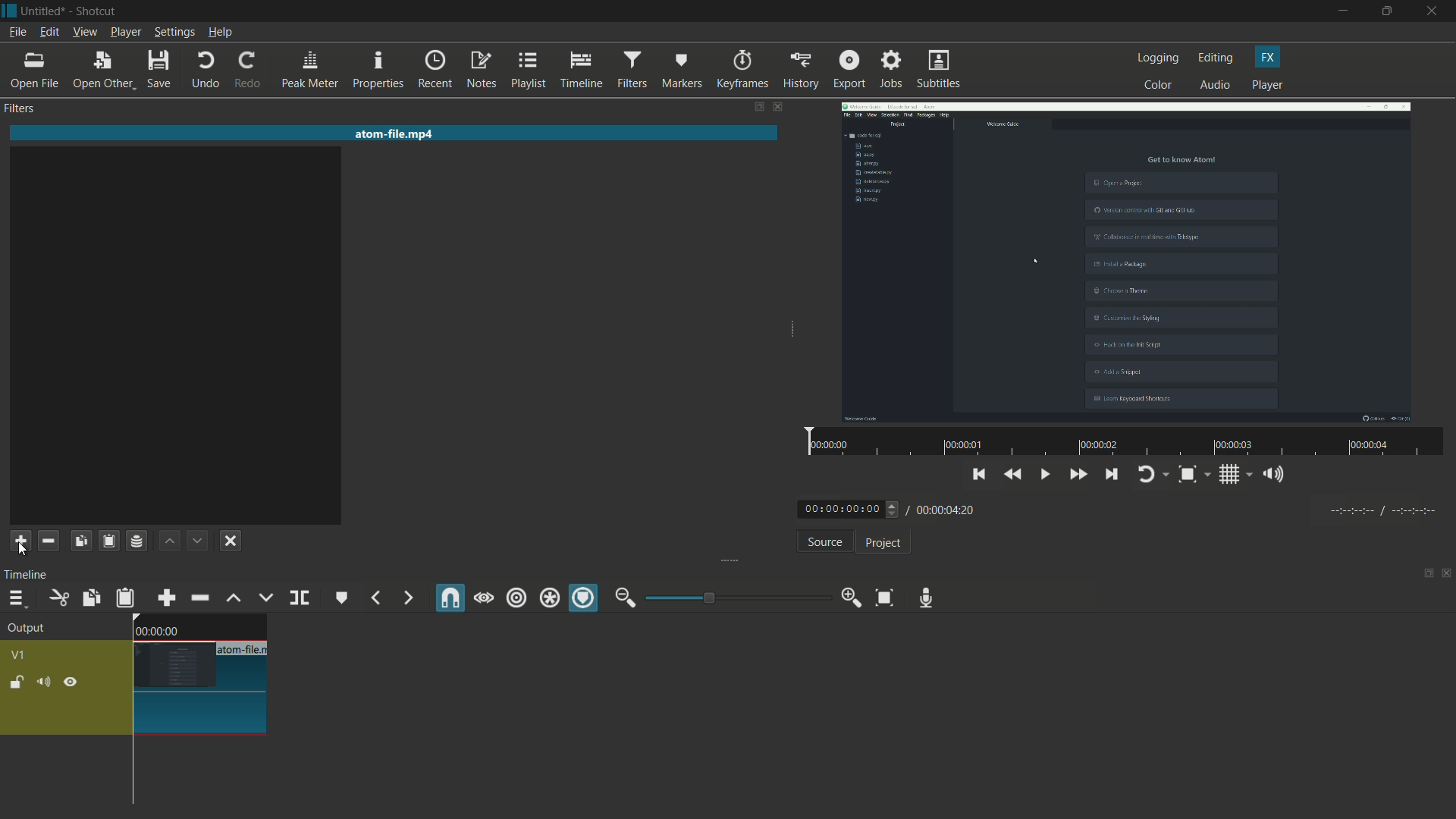 The width and height of the screenshot is (1456, 819). Describe the element at coordinates (46, 682) in the screenshot. I see `mute` at that location.